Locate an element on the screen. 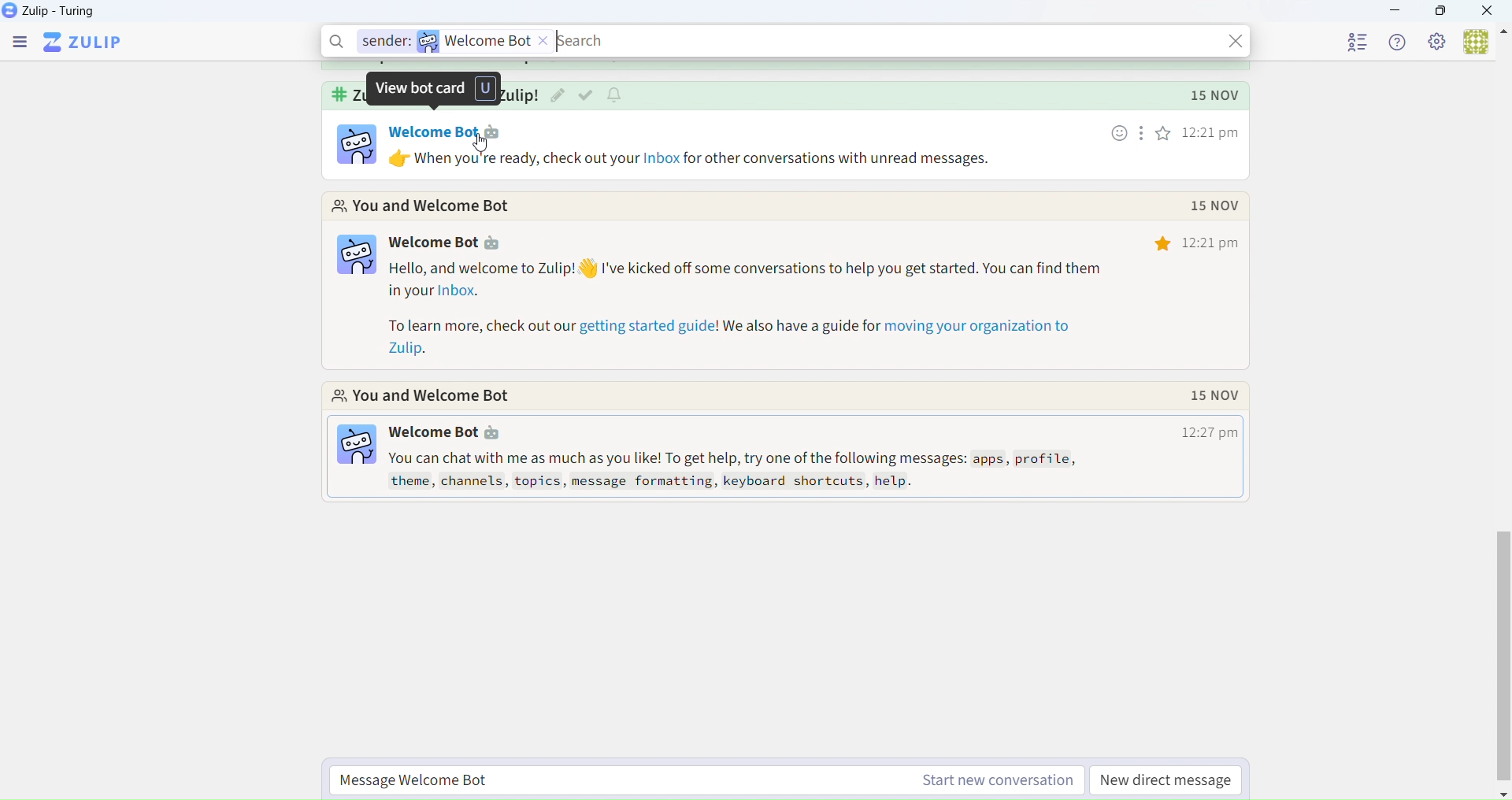 This screenshot has width=1512, height=800. search is located at coordinates (587, 40).